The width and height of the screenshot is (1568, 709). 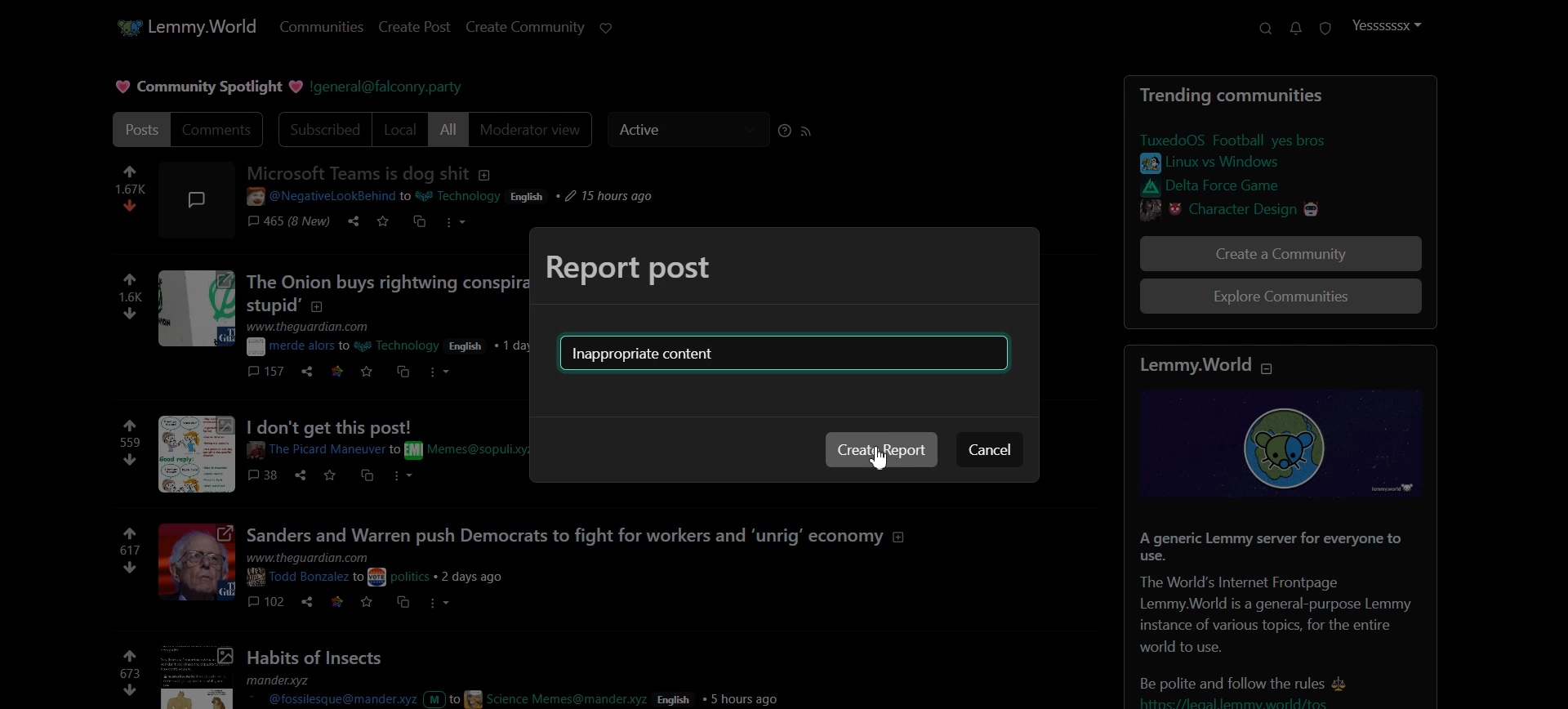 What do you see at coordinates (1281, 297) in the screenshot?
I see `Explore Communitites` at bounding box center [1281, 297].